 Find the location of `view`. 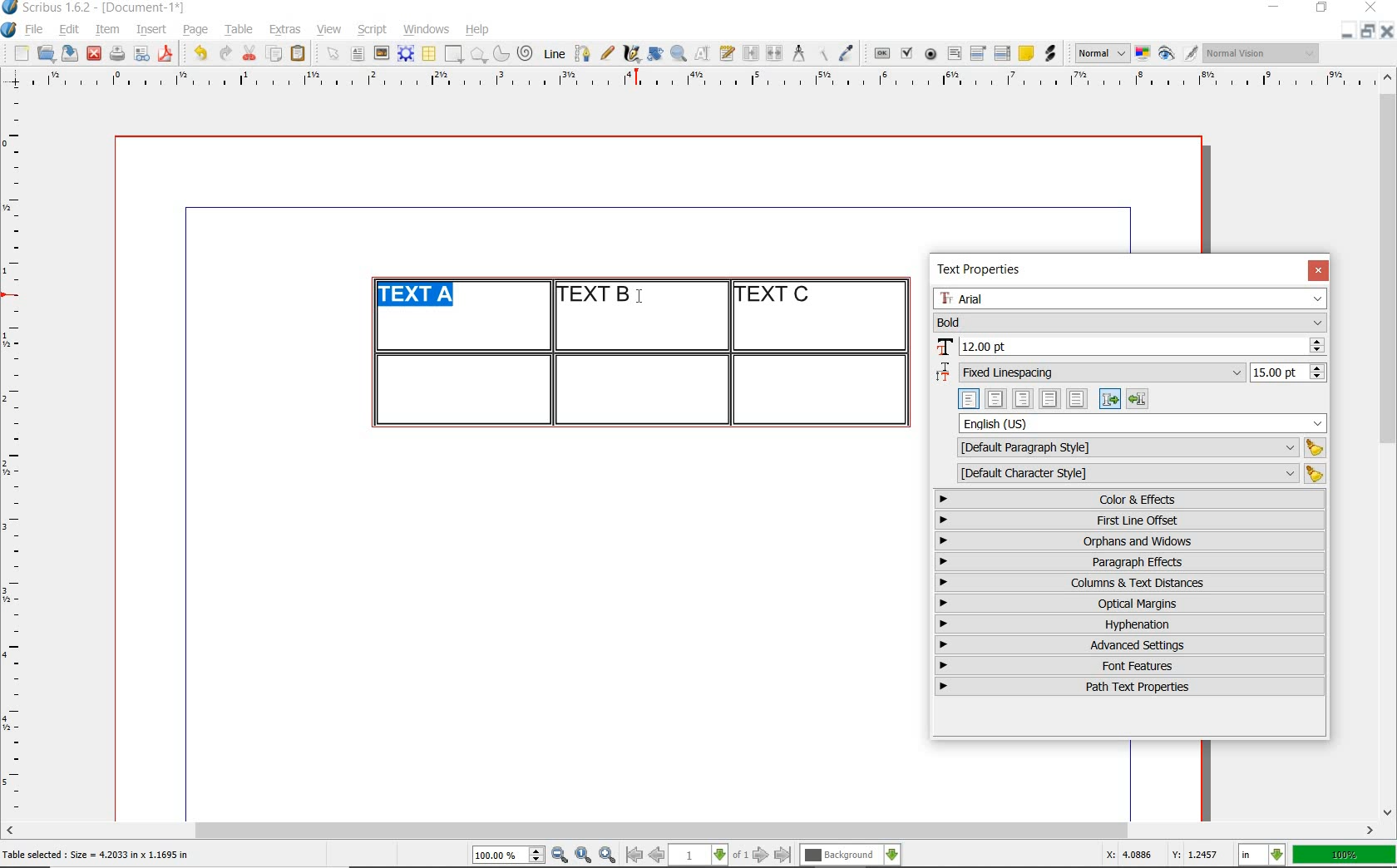

view is located at coordinates (329, 29).